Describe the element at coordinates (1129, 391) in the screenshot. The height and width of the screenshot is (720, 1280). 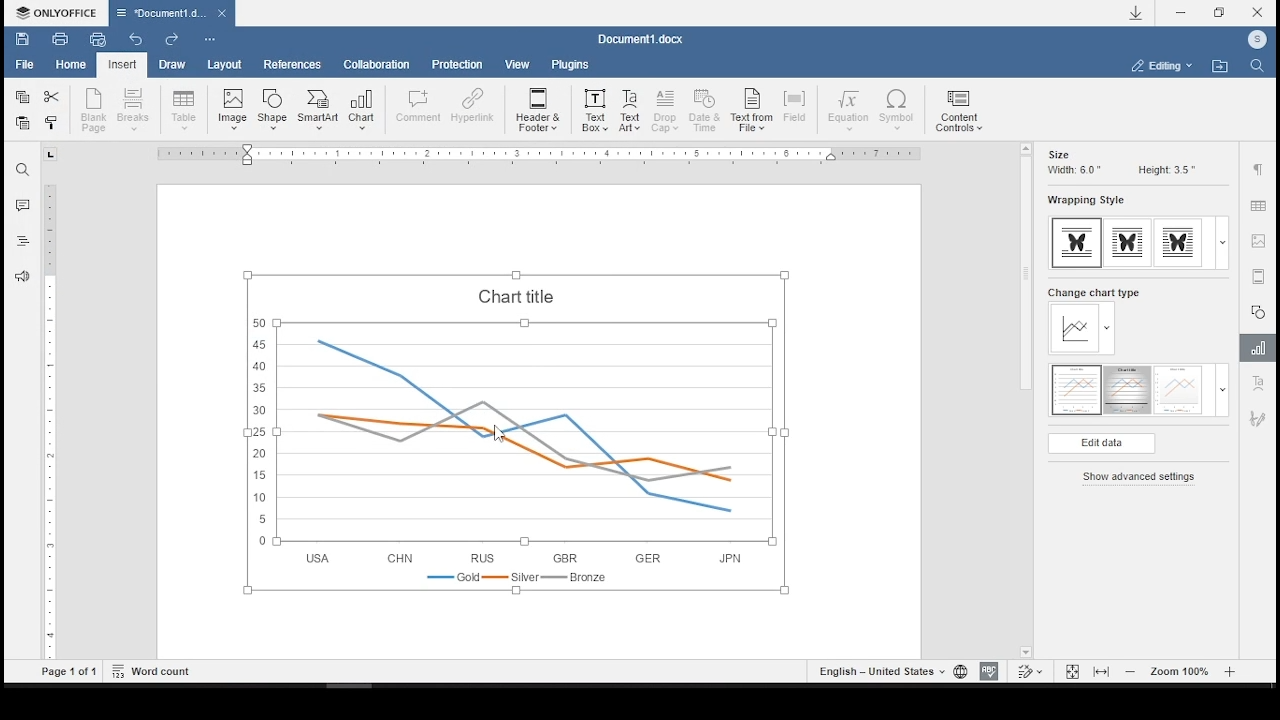
I see `chart style 2` at that location.